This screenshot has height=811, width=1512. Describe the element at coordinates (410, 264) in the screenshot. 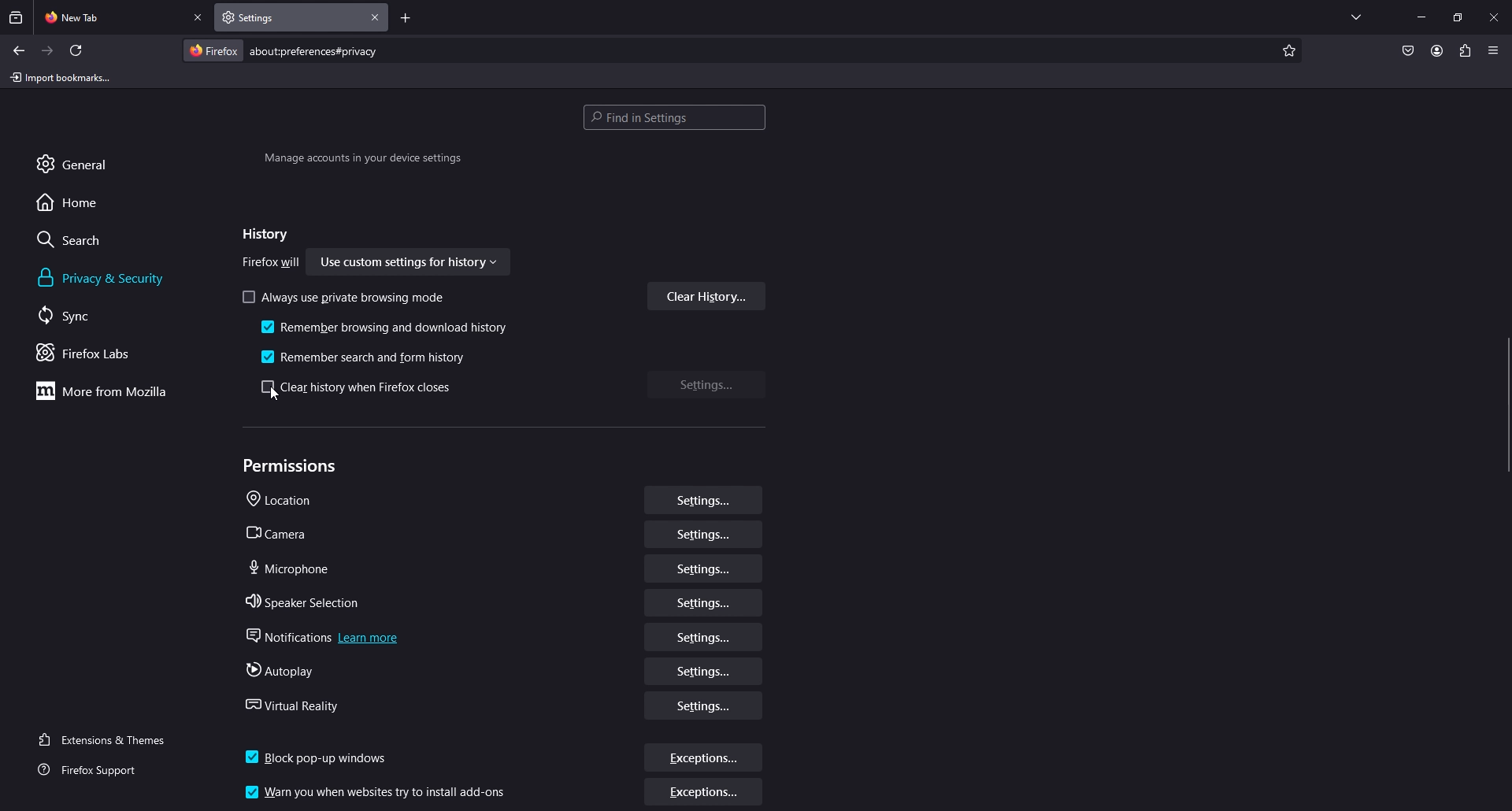

I see `use custom setting for history` at that location.